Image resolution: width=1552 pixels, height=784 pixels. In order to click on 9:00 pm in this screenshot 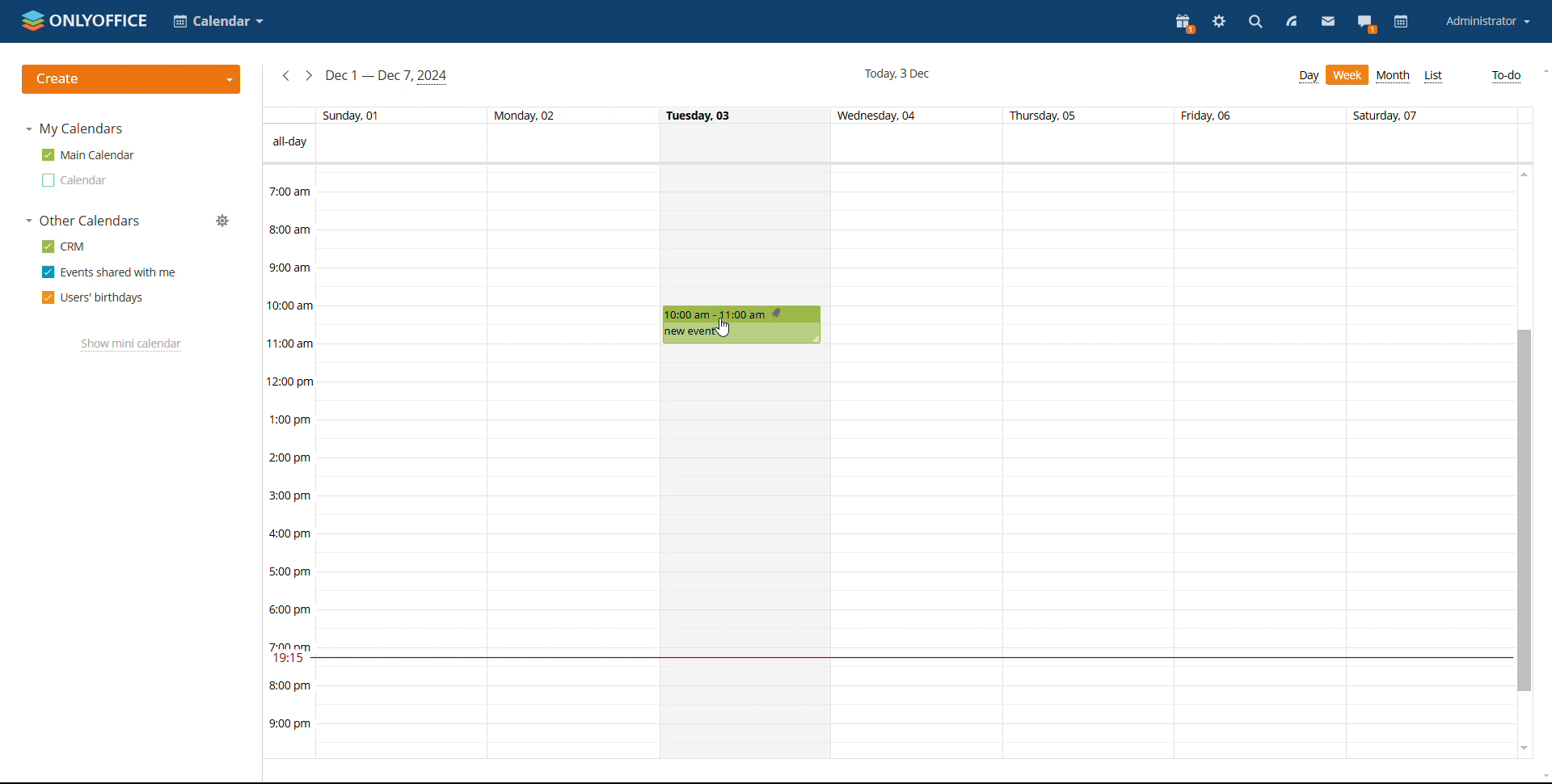, I will do `click(290, 725)`.